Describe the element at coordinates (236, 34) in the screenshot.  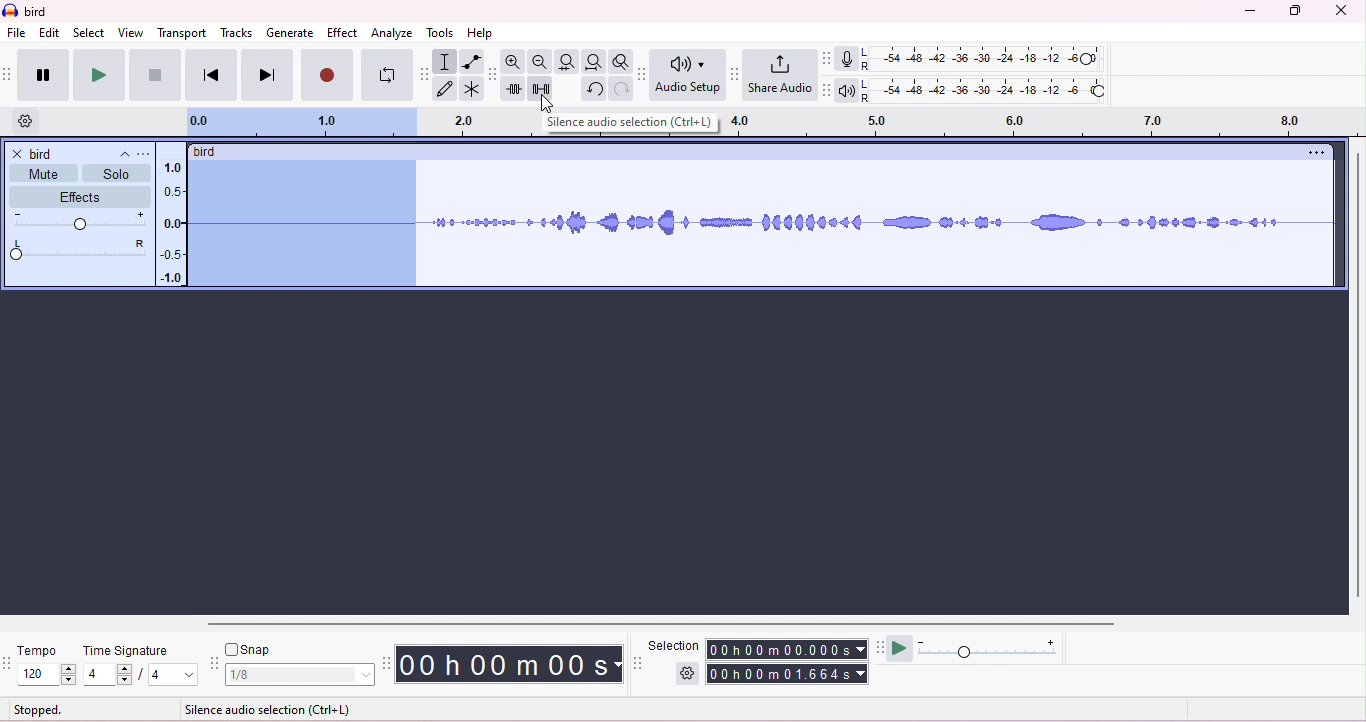
I see `tracks` at that location.